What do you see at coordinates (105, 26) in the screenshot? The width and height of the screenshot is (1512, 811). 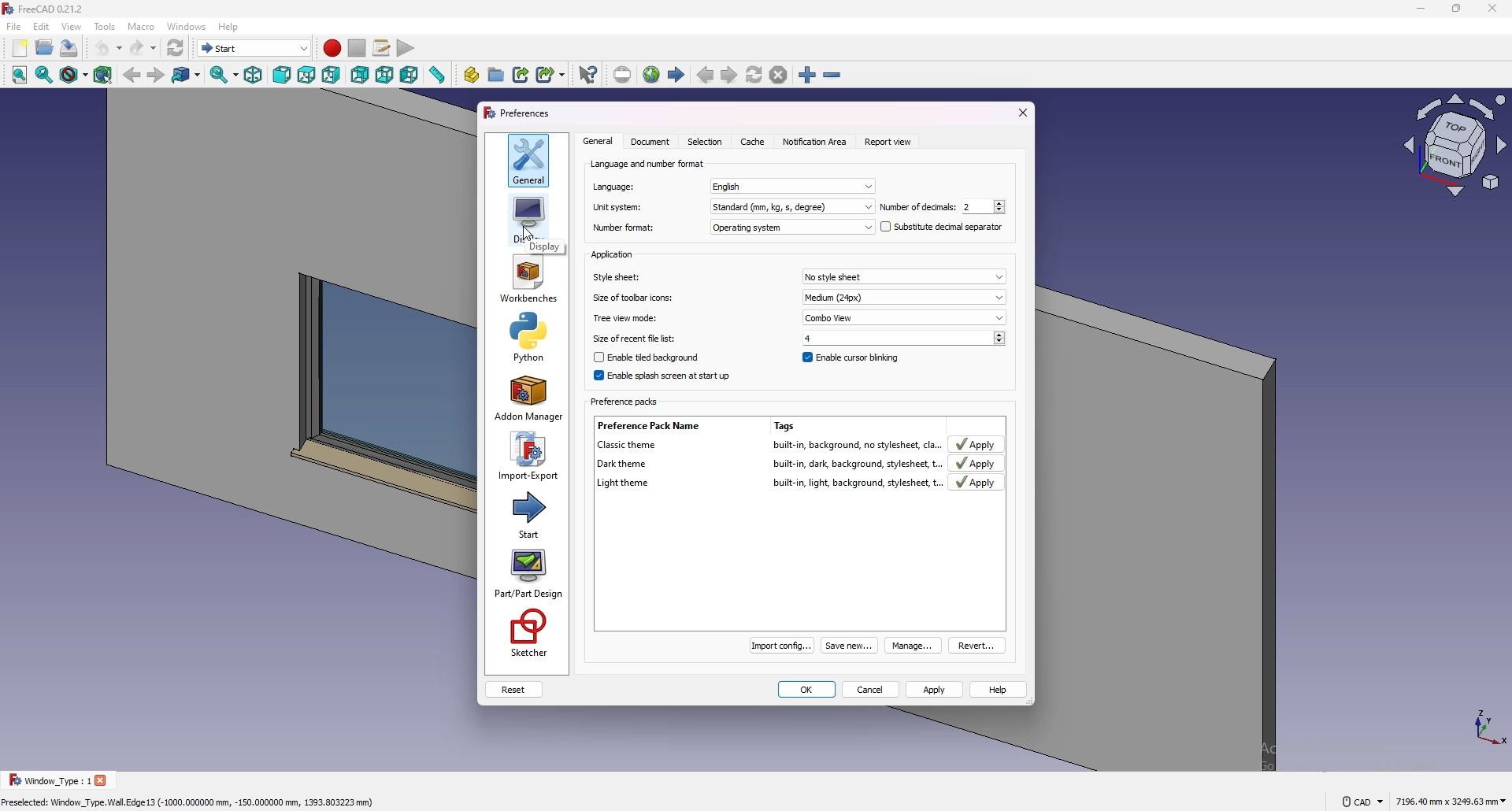 I see `tools` at bounding box center [105, 26].